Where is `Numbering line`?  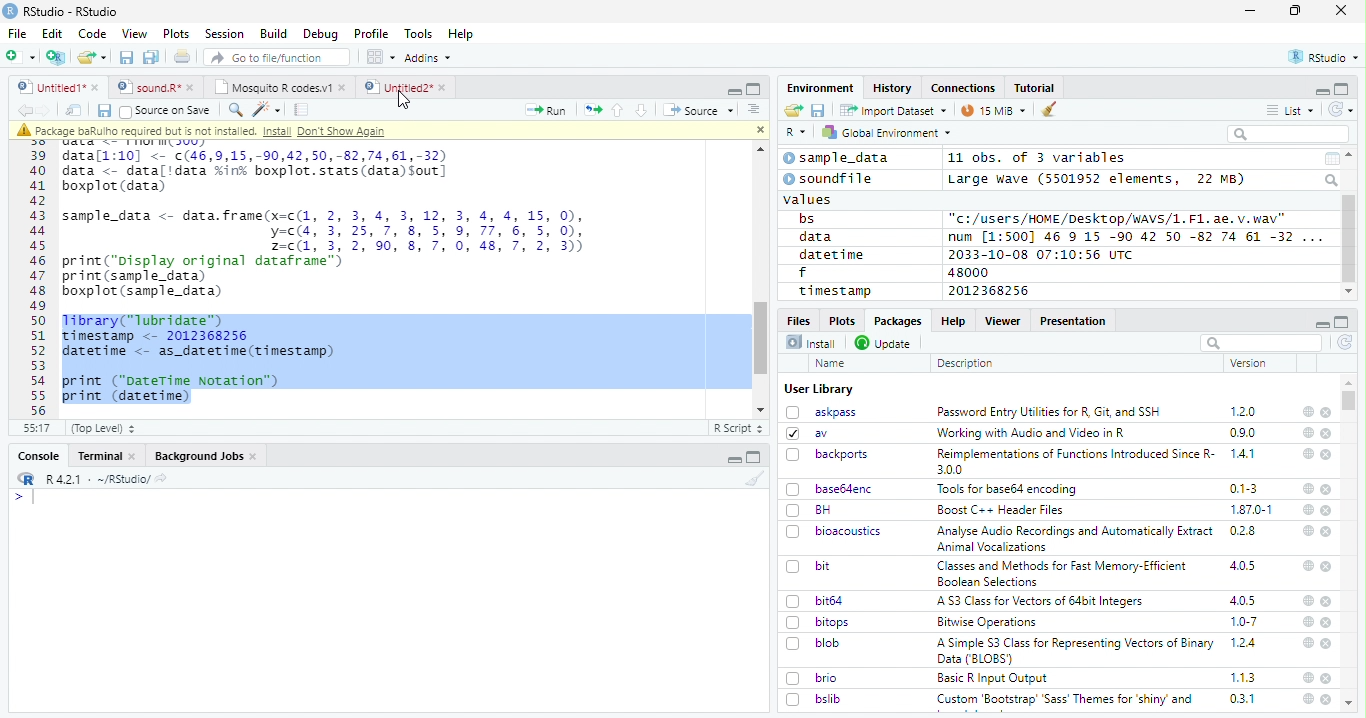
Numbering line is located at coordinates (39, 282).